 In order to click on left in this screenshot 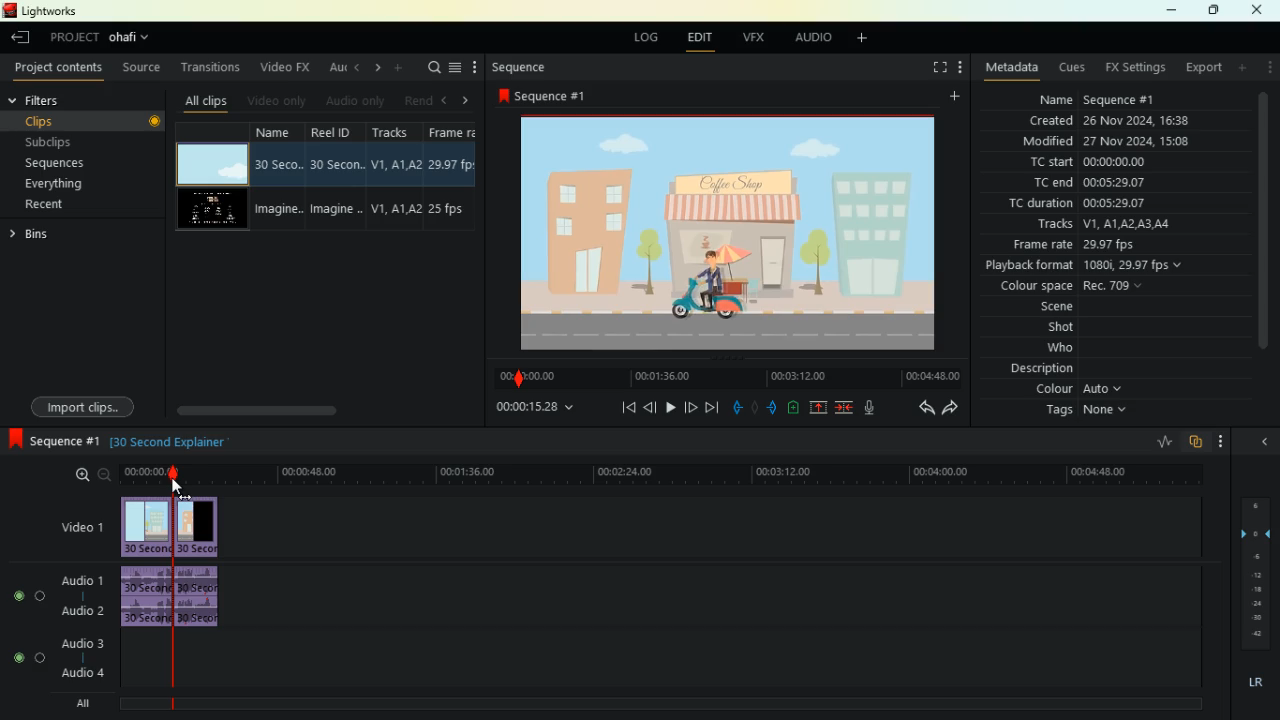, I will do `click(359, 69)`.